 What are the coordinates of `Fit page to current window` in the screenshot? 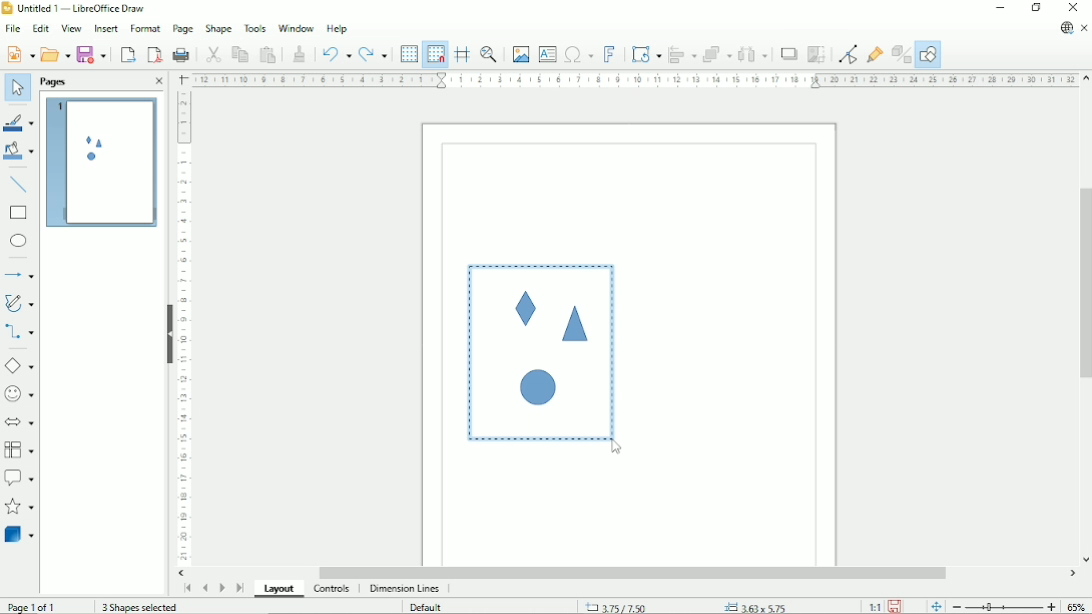 It's located at (934, 606).